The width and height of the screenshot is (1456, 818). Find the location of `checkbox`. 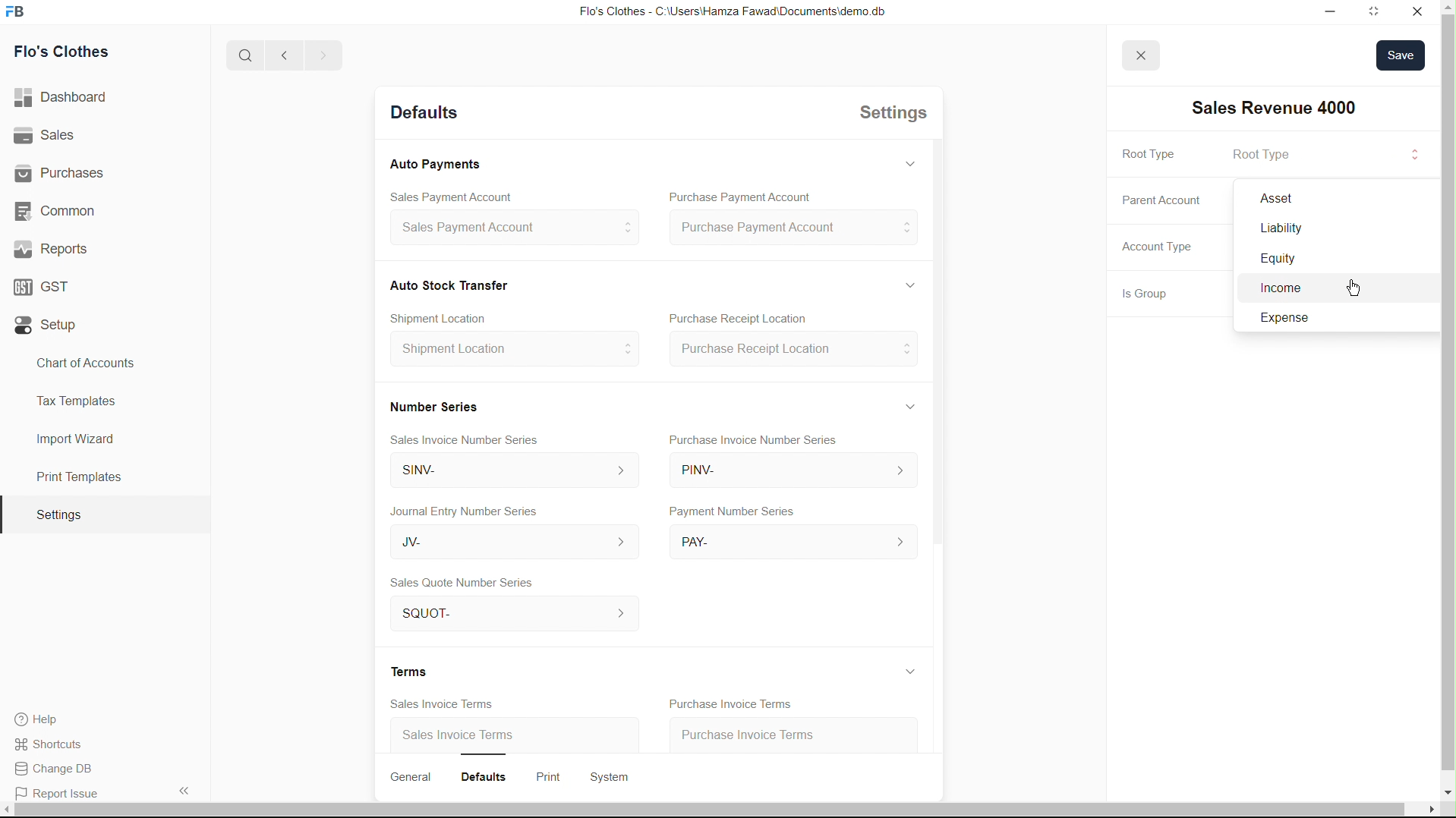

checkbox is located at coordinates (1277, 291).